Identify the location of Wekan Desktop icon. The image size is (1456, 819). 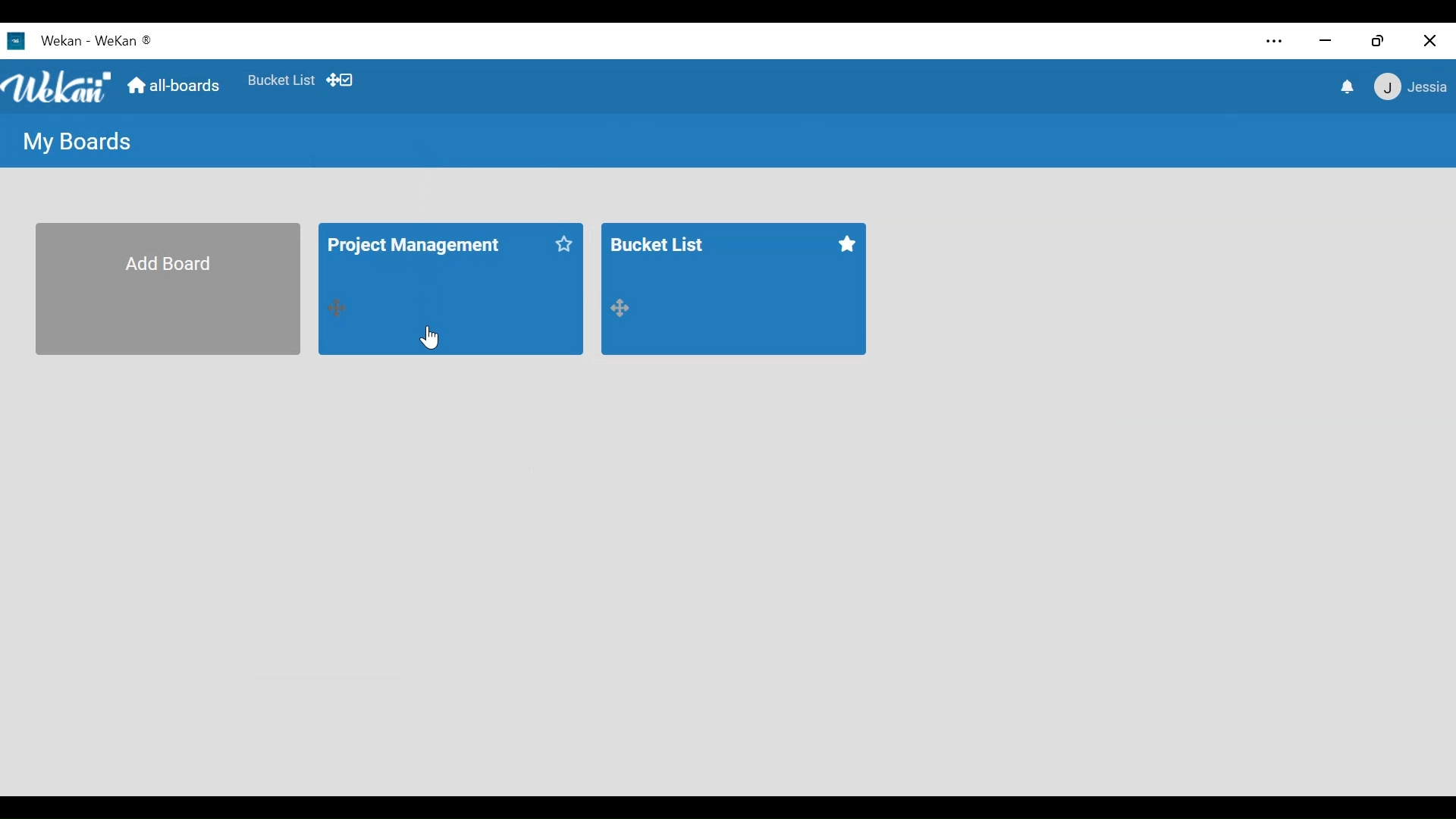
(44, 40).